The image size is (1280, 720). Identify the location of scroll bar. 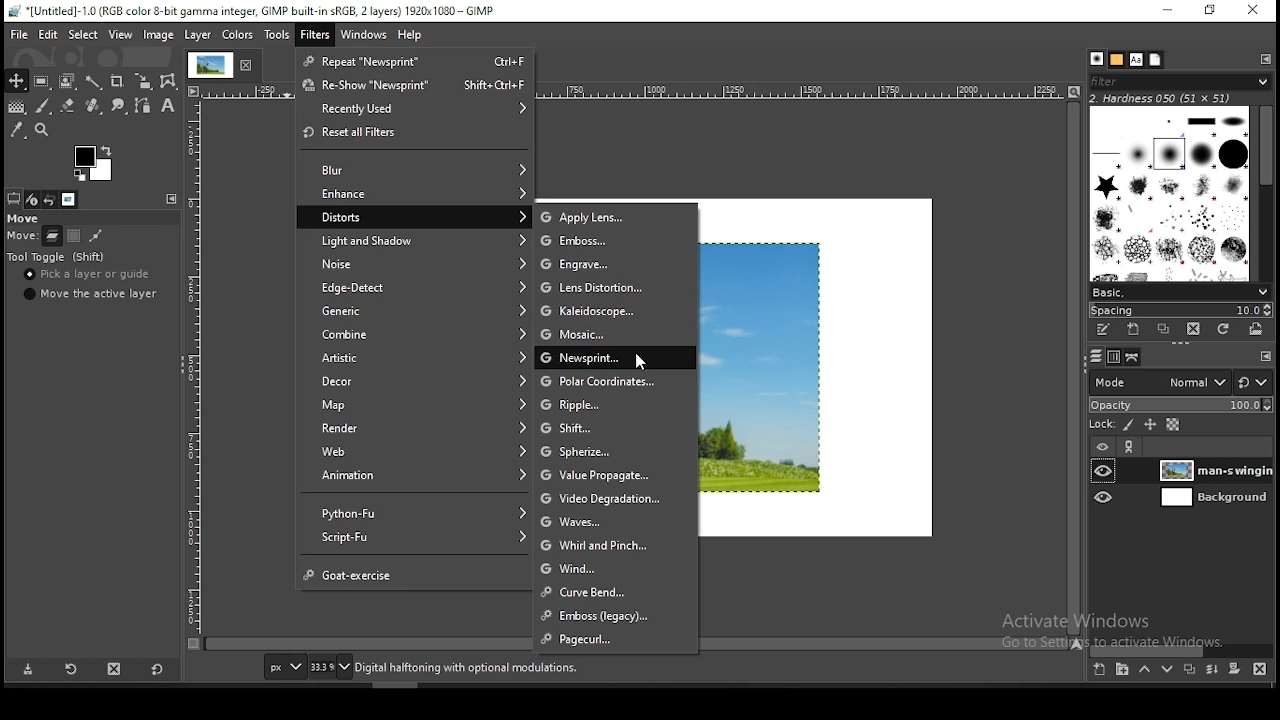
(1261, 193).